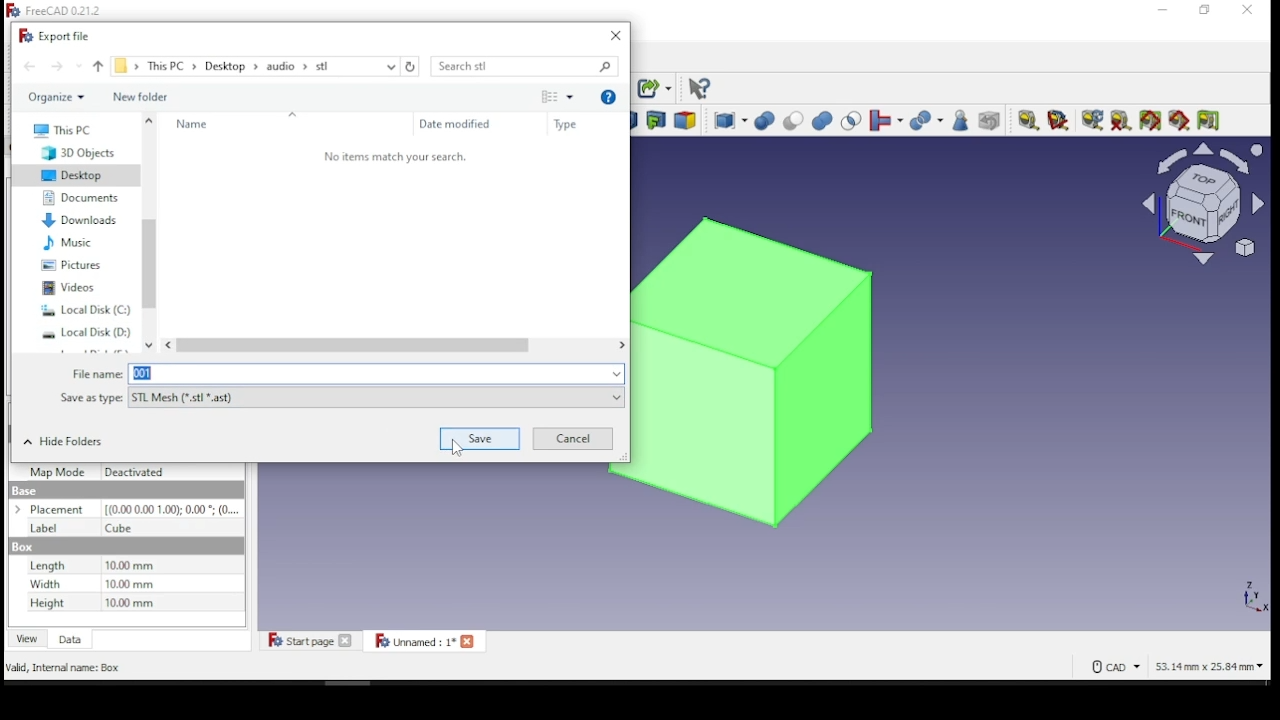 This screenshot has height=720, width=1280. I want to click on documents, so click(82, 198).